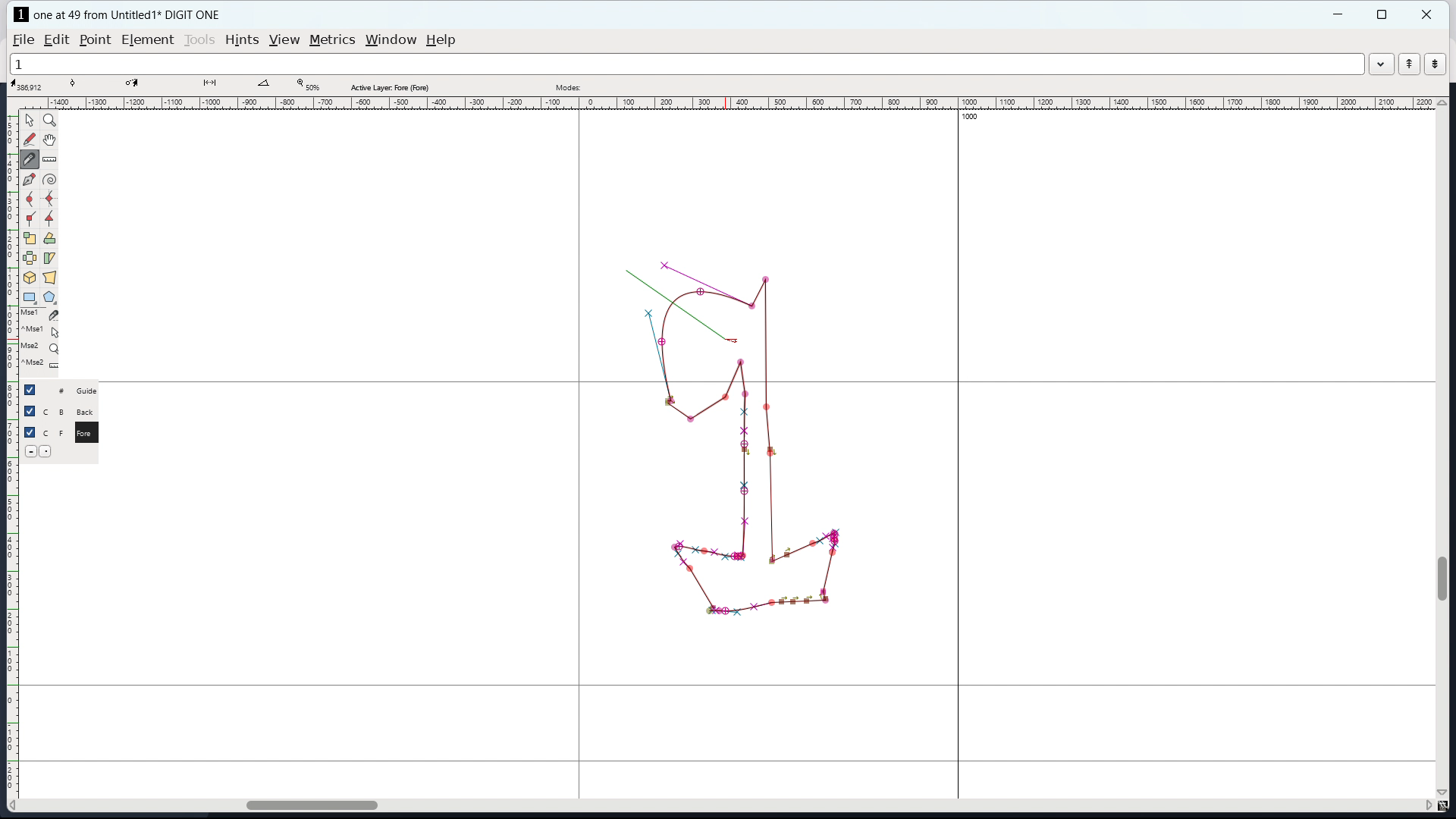 Image resolution: width=1456 pixels, height=819 pixels. Describe the element at coordinates (736, 104) in the screenshot. I see `horizontal ruler` at that location.